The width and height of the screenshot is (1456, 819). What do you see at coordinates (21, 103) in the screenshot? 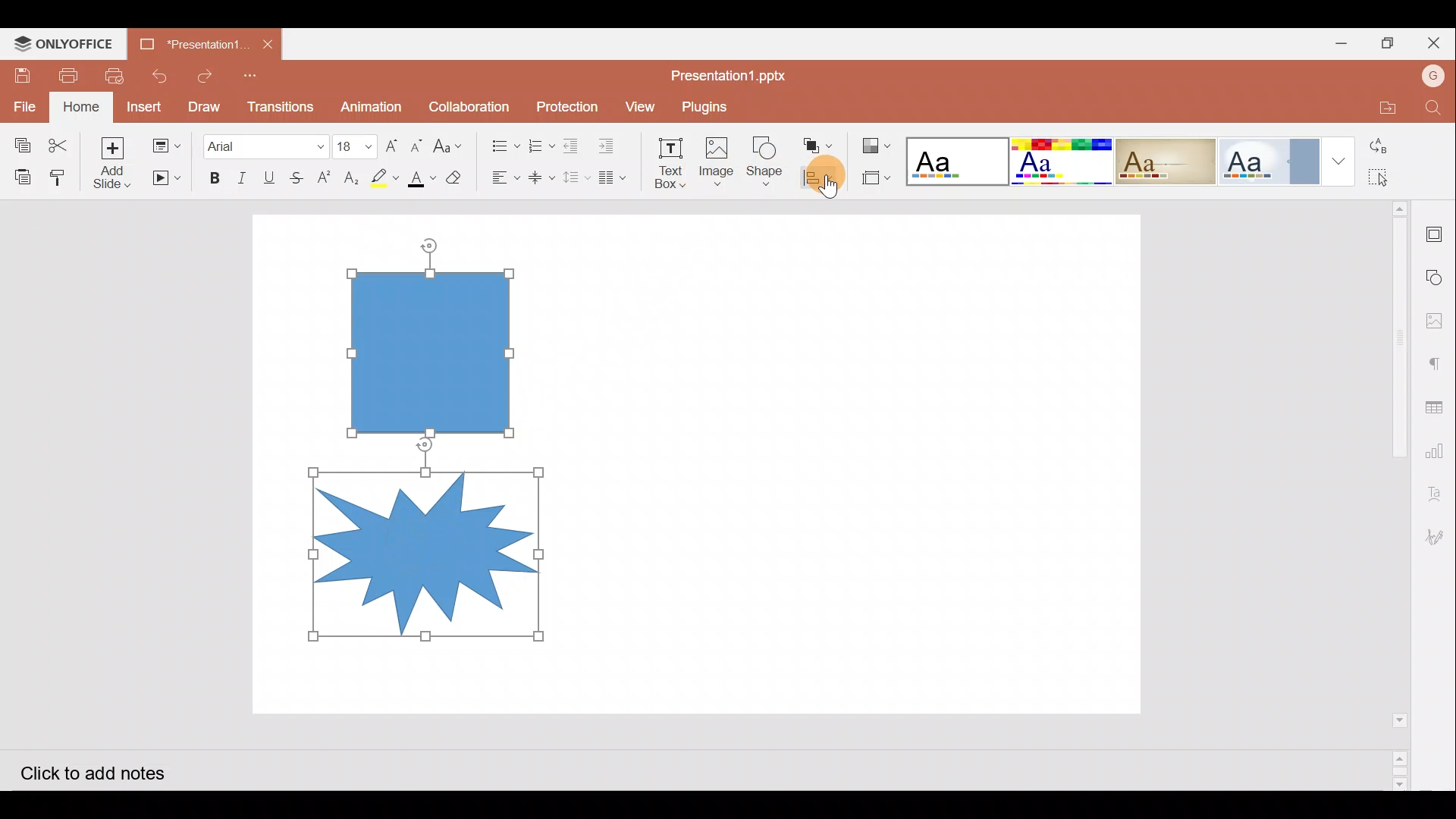
I see `File` at bounding box center [21, 103].